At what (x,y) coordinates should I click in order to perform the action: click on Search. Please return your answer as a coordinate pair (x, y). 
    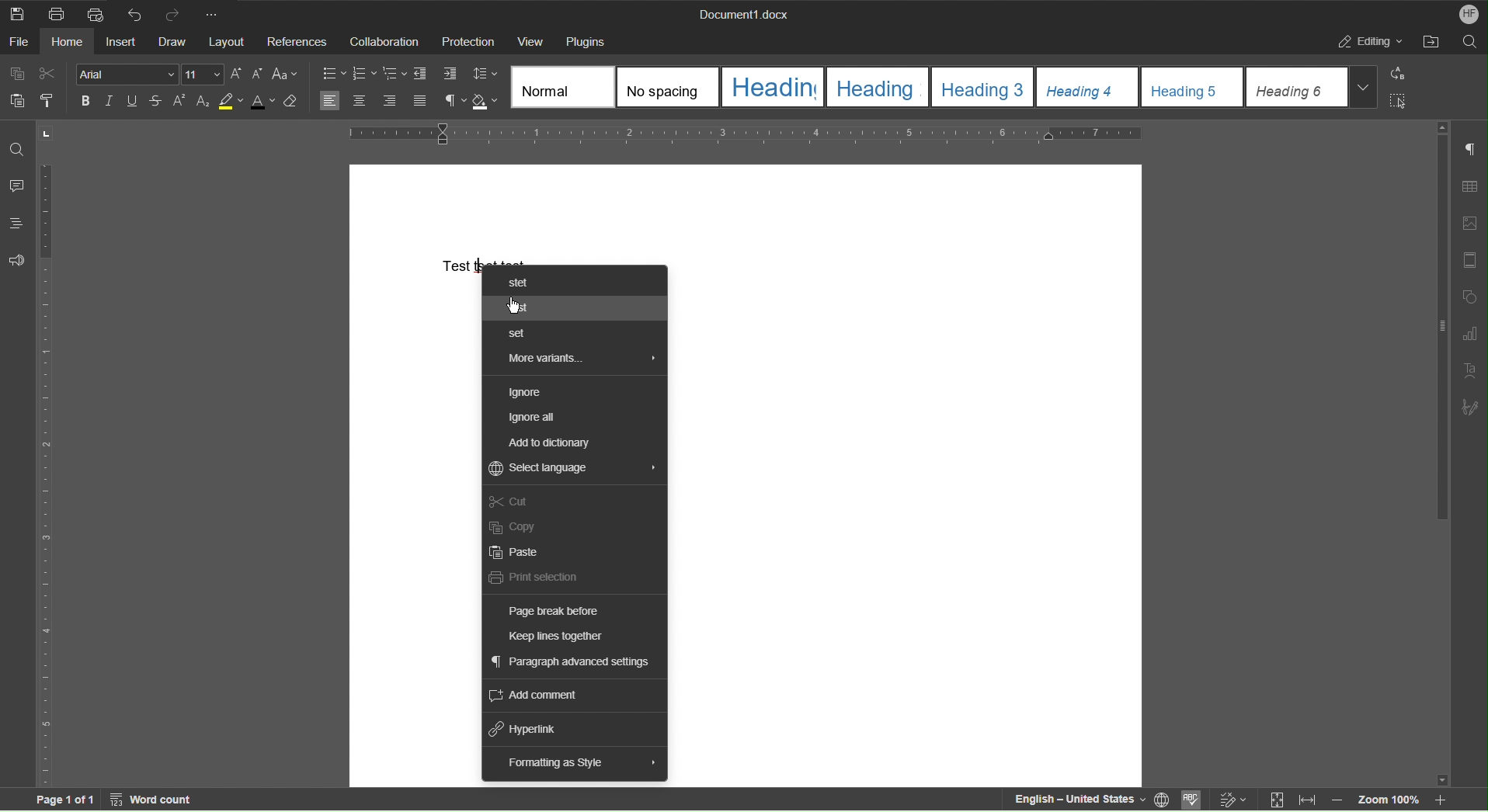
    Looking at the image, I should click on (1469, 40).